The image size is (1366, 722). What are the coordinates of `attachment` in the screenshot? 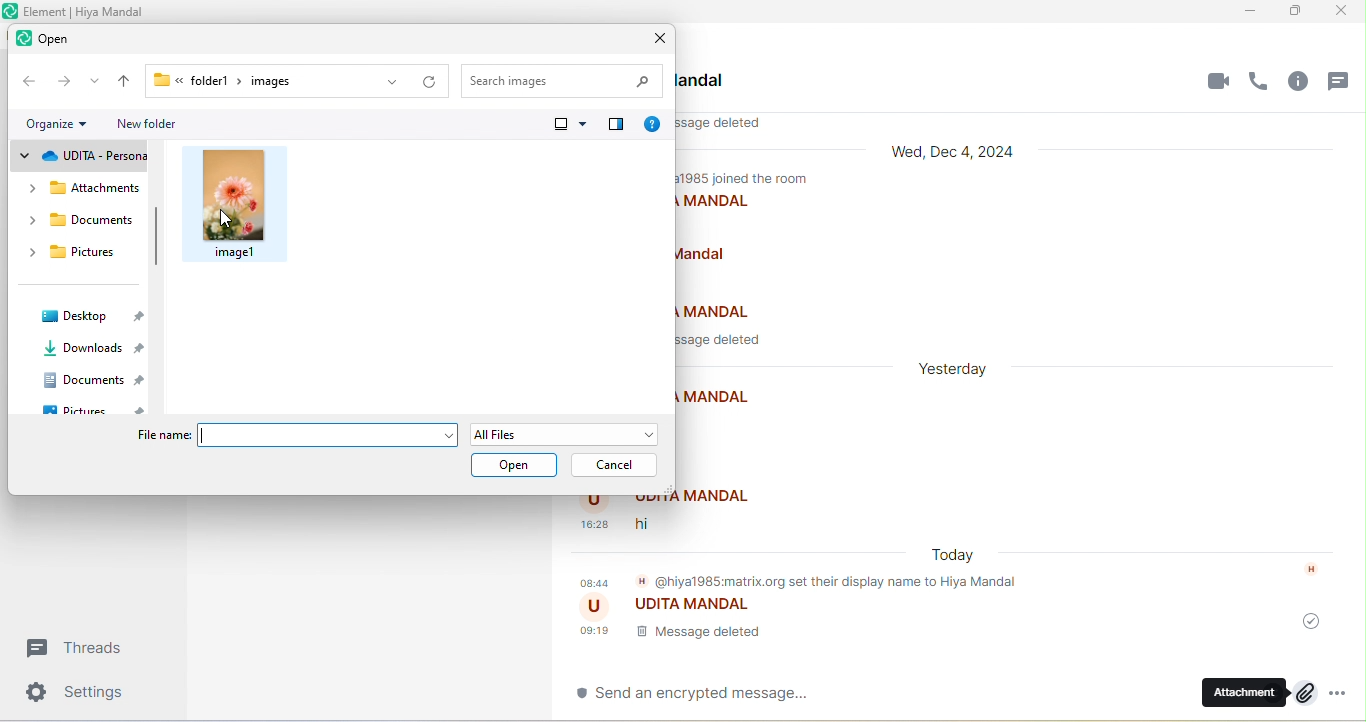 It's located at (1260, 692).